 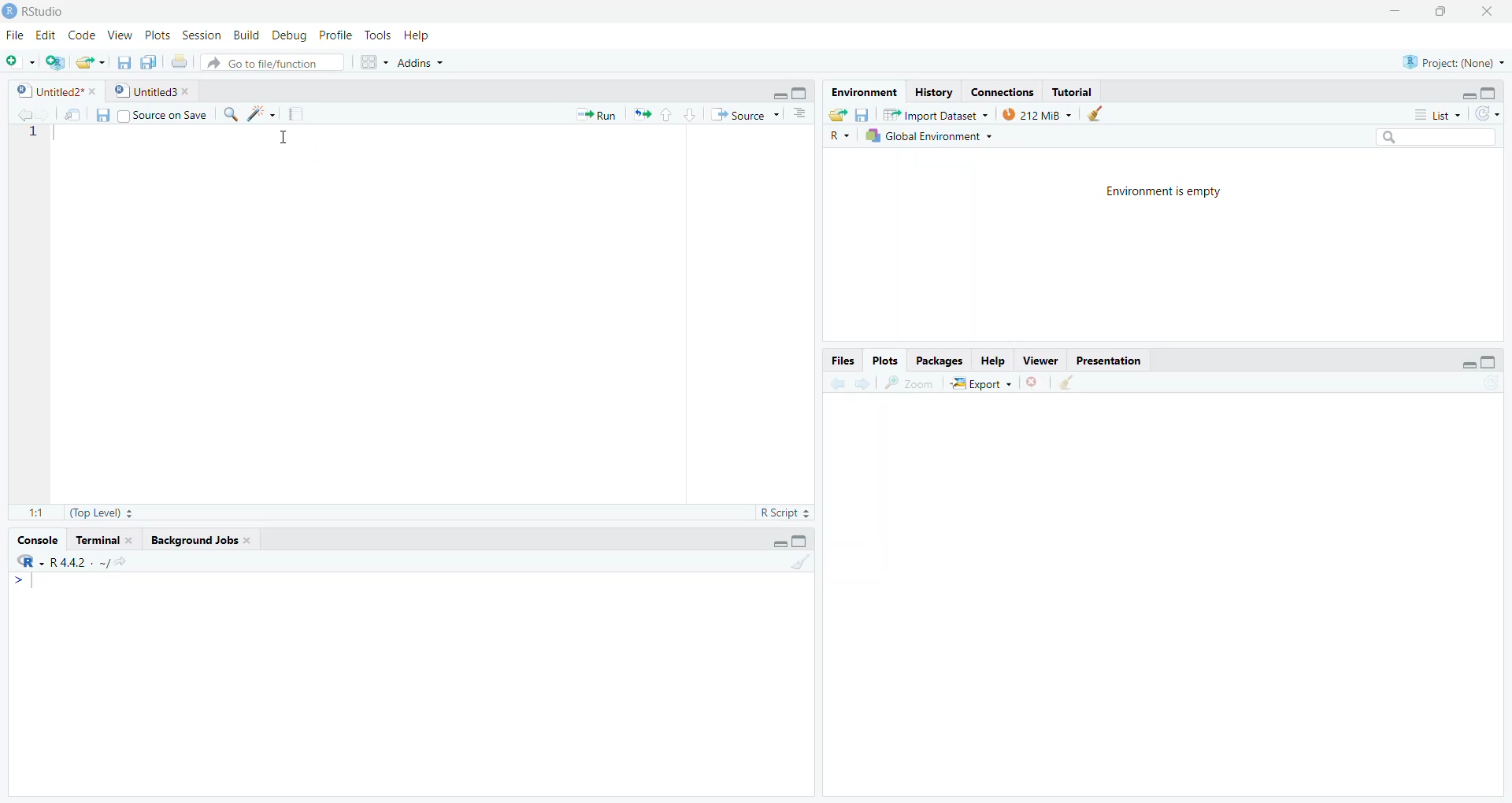 What do you see at coordinates (1037, 381) in the screenshot?
I see `close` at bounding box center [1037, 381].